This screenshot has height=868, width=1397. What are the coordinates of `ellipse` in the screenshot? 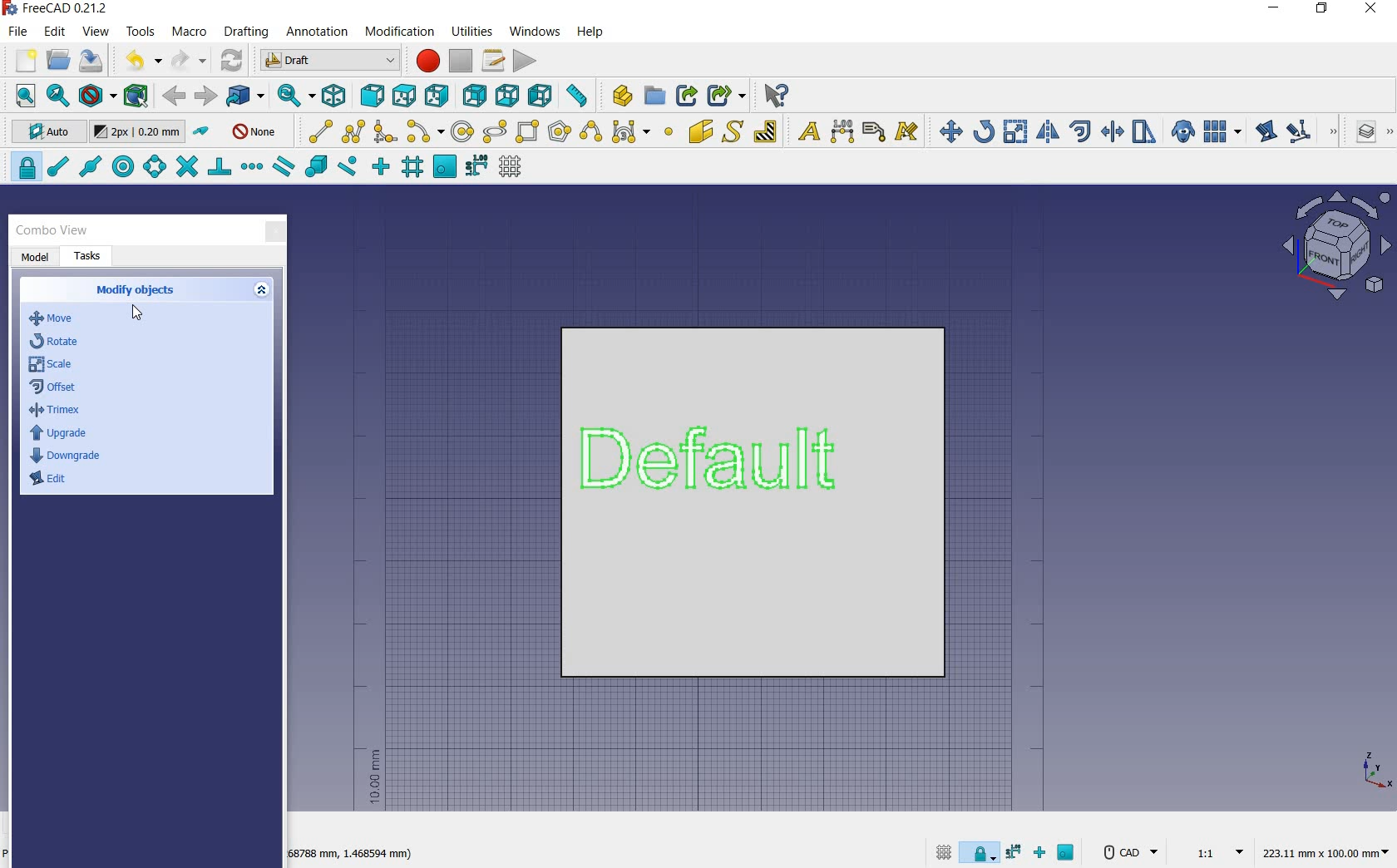 It's located at (494, 132).